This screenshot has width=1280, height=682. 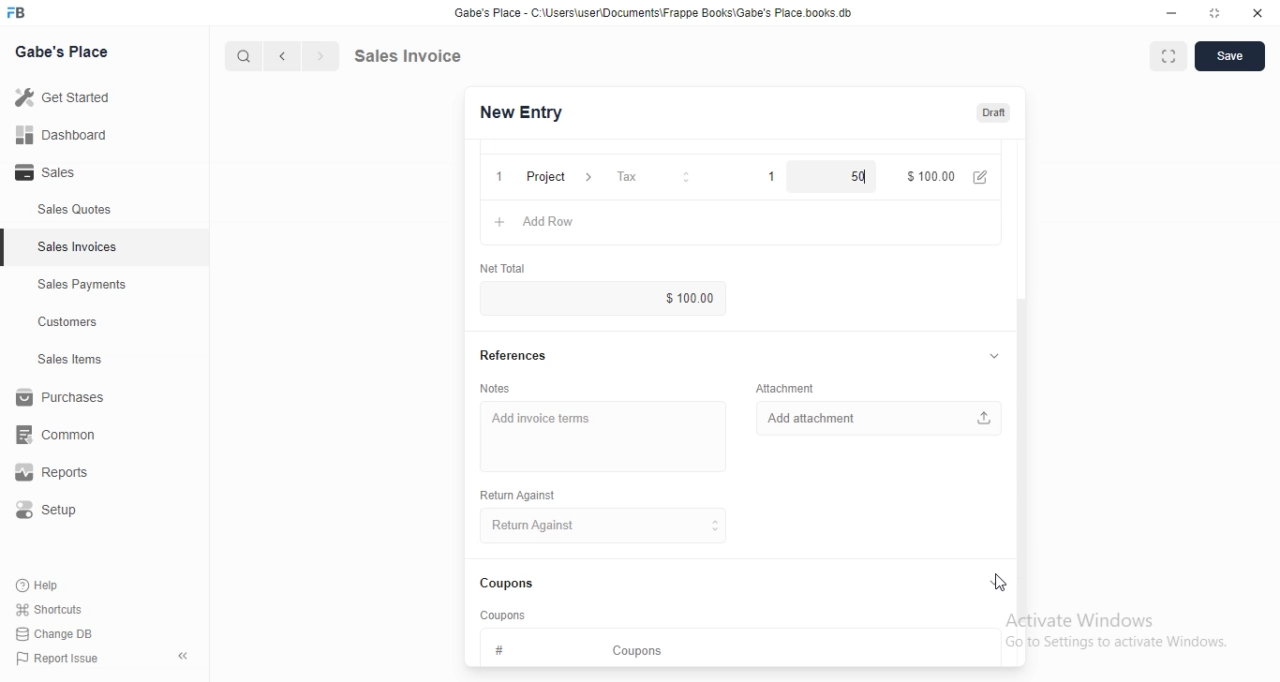 I want to click on 1, so click(x=762, y=175).